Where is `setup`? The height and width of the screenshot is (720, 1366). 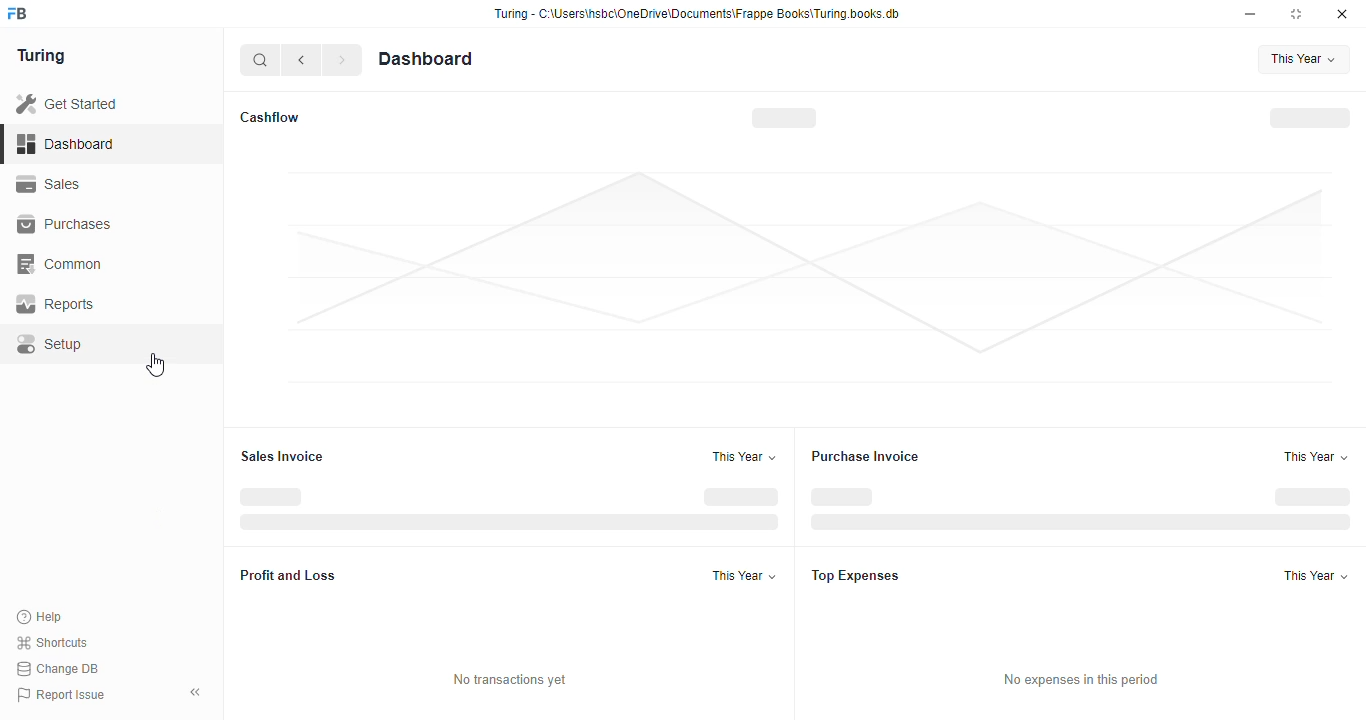
setup is located at coordinates (52, 344).